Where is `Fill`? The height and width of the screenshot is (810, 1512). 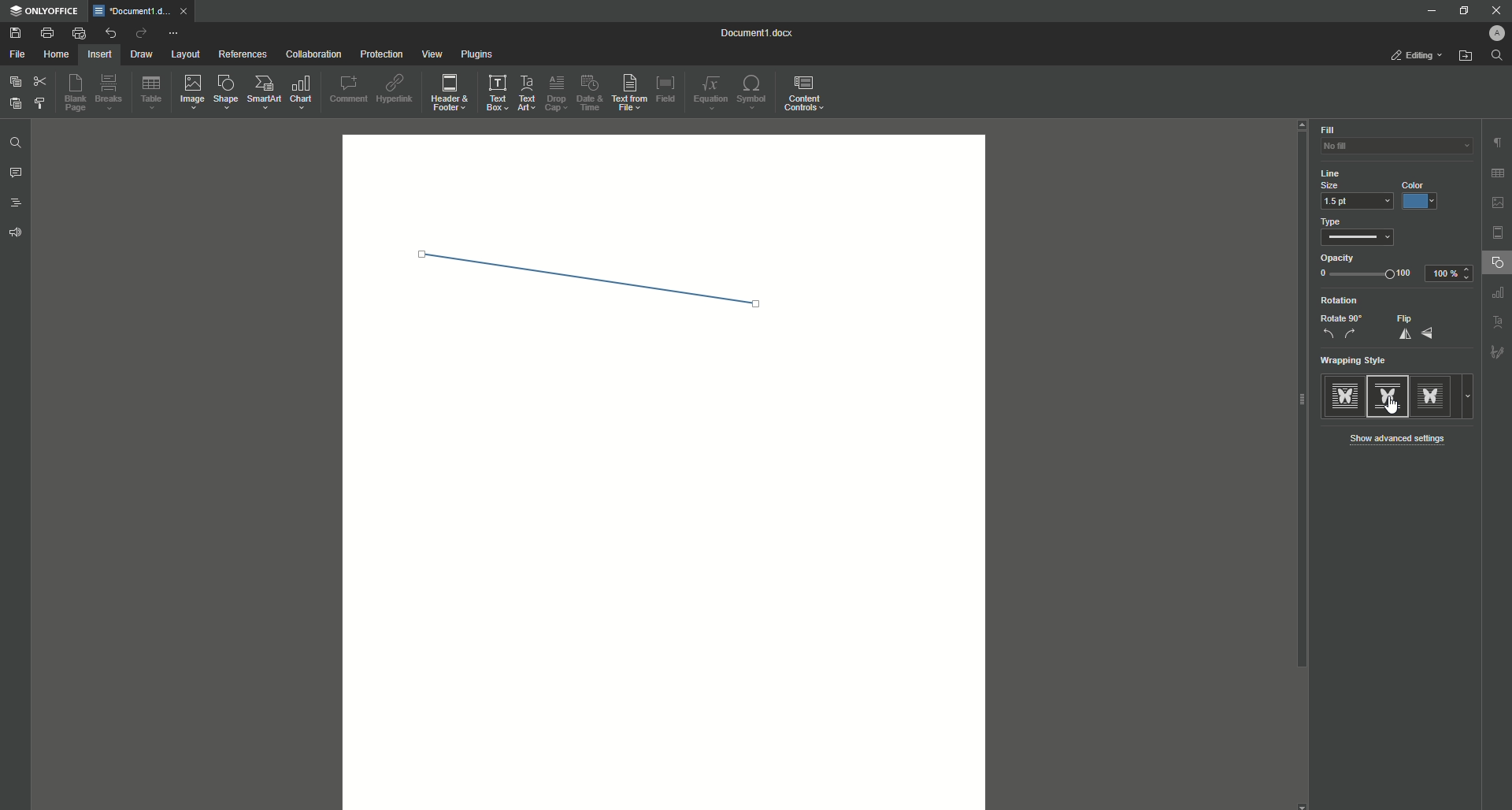 Fill is located at coordinates (1328, 130).